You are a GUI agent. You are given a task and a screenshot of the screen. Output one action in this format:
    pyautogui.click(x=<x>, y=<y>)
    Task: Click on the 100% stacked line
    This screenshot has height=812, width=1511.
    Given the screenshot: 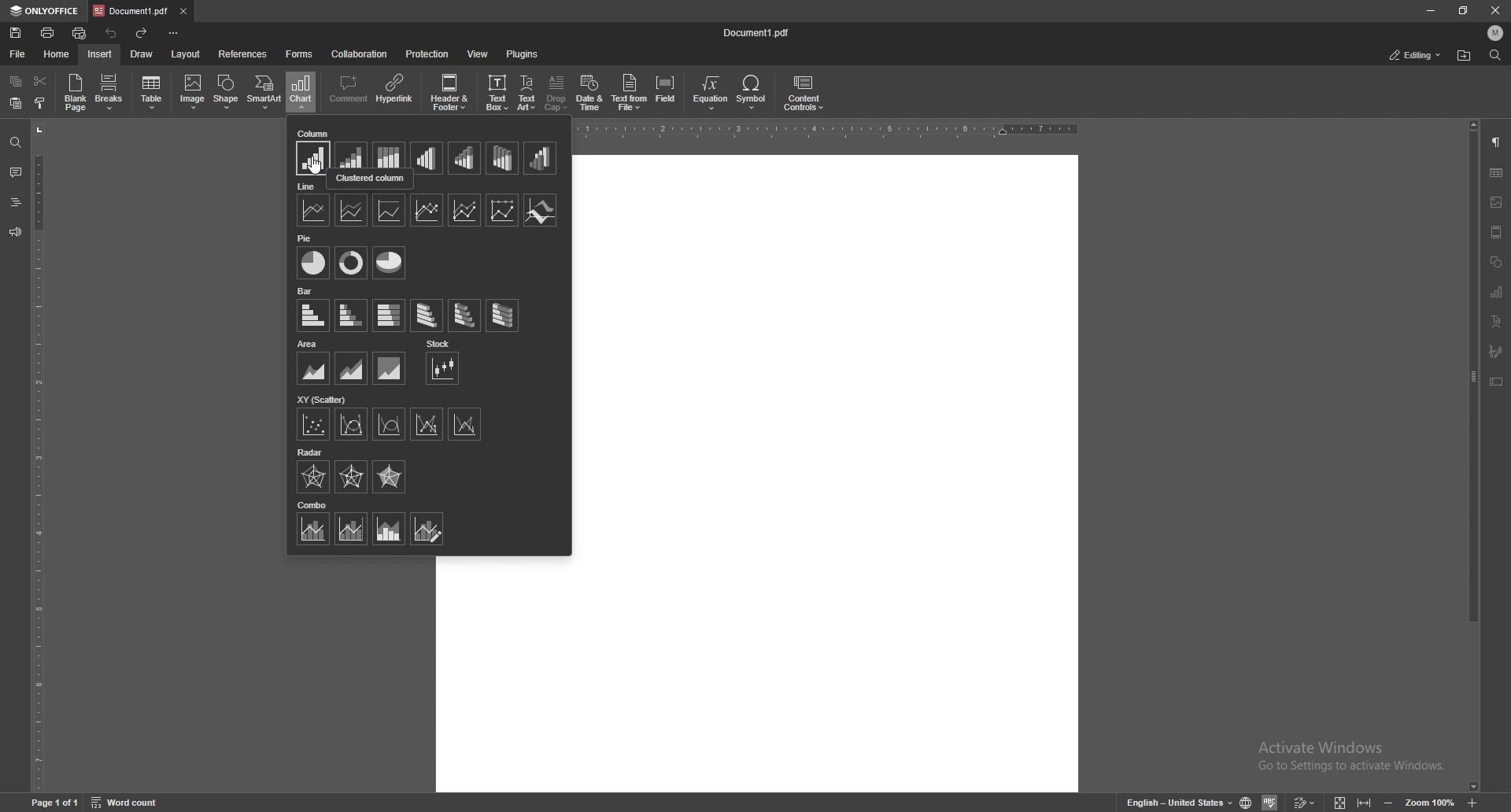 What is the action you would take?
    pyautogui.click(x=389, y=209)
    